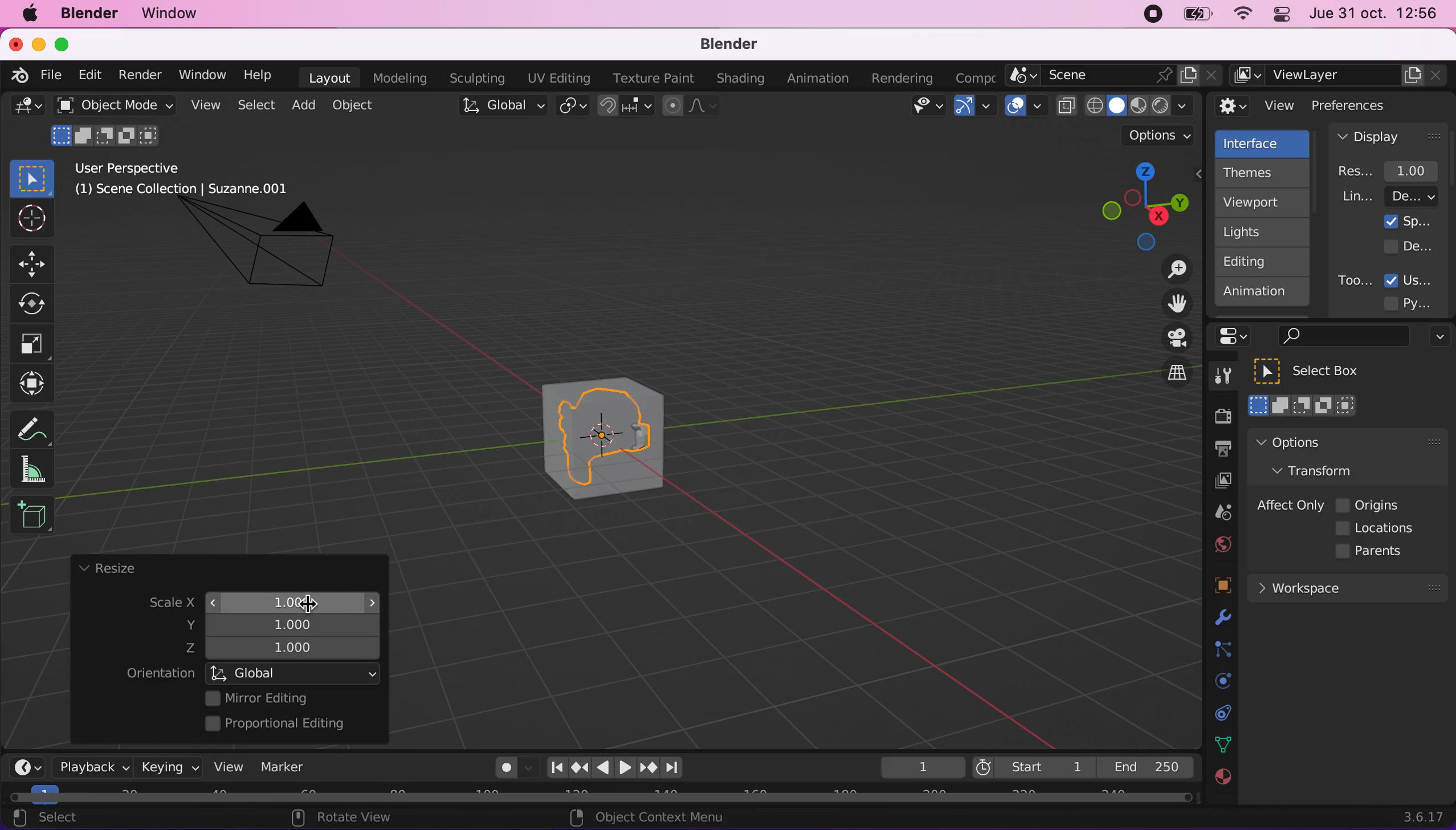 The height and width of the screenshot is (830, 1456). What do you see at coordinates (32, 344) in the screenshot?
I see `` at bounding box center [32, 344].